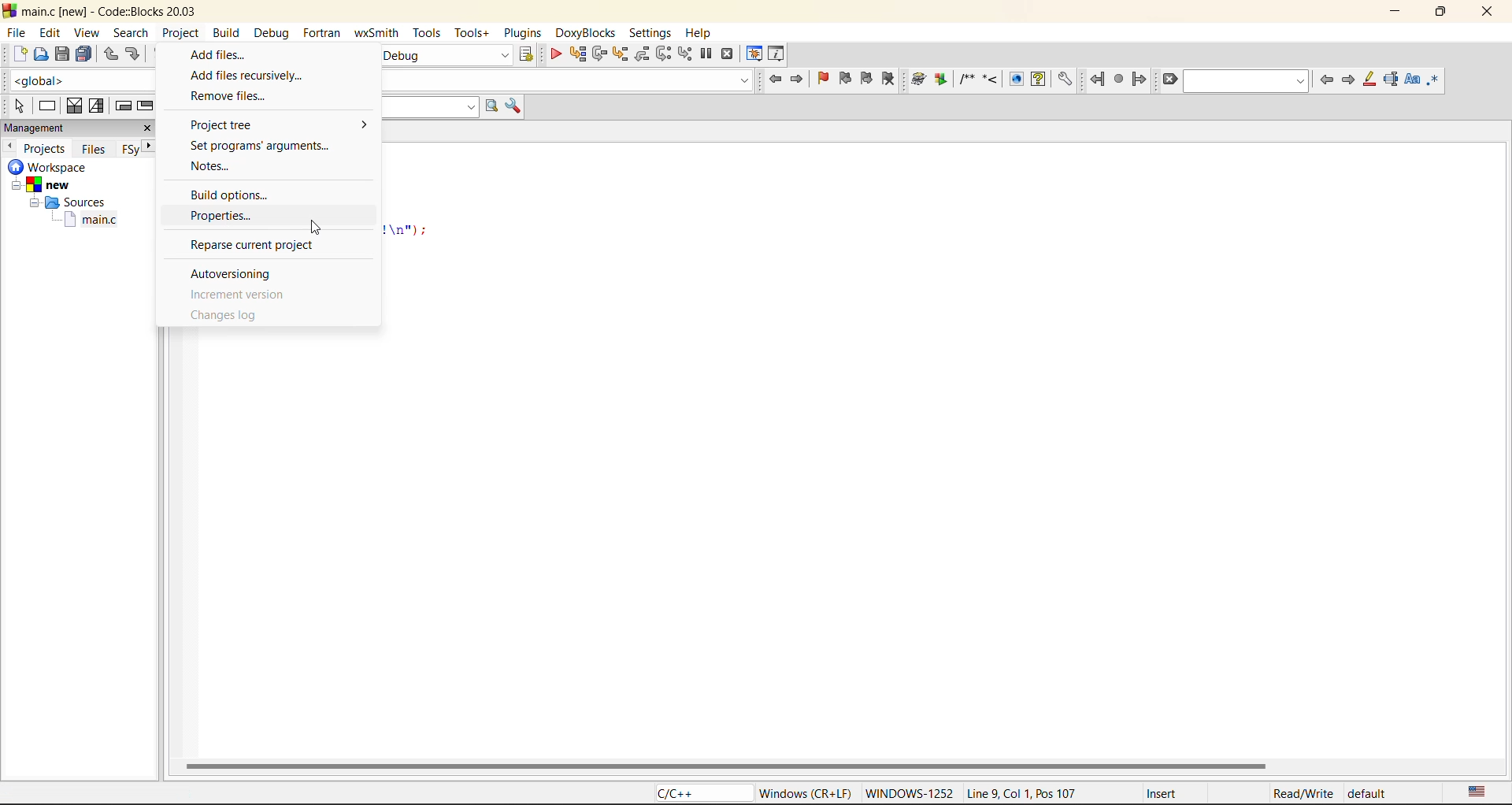 This screenshot has height=805, width=1512. What do you see at coordinates (83, 54) in the screenshot?
I see `save everytime` at bounding box center [83, 54].